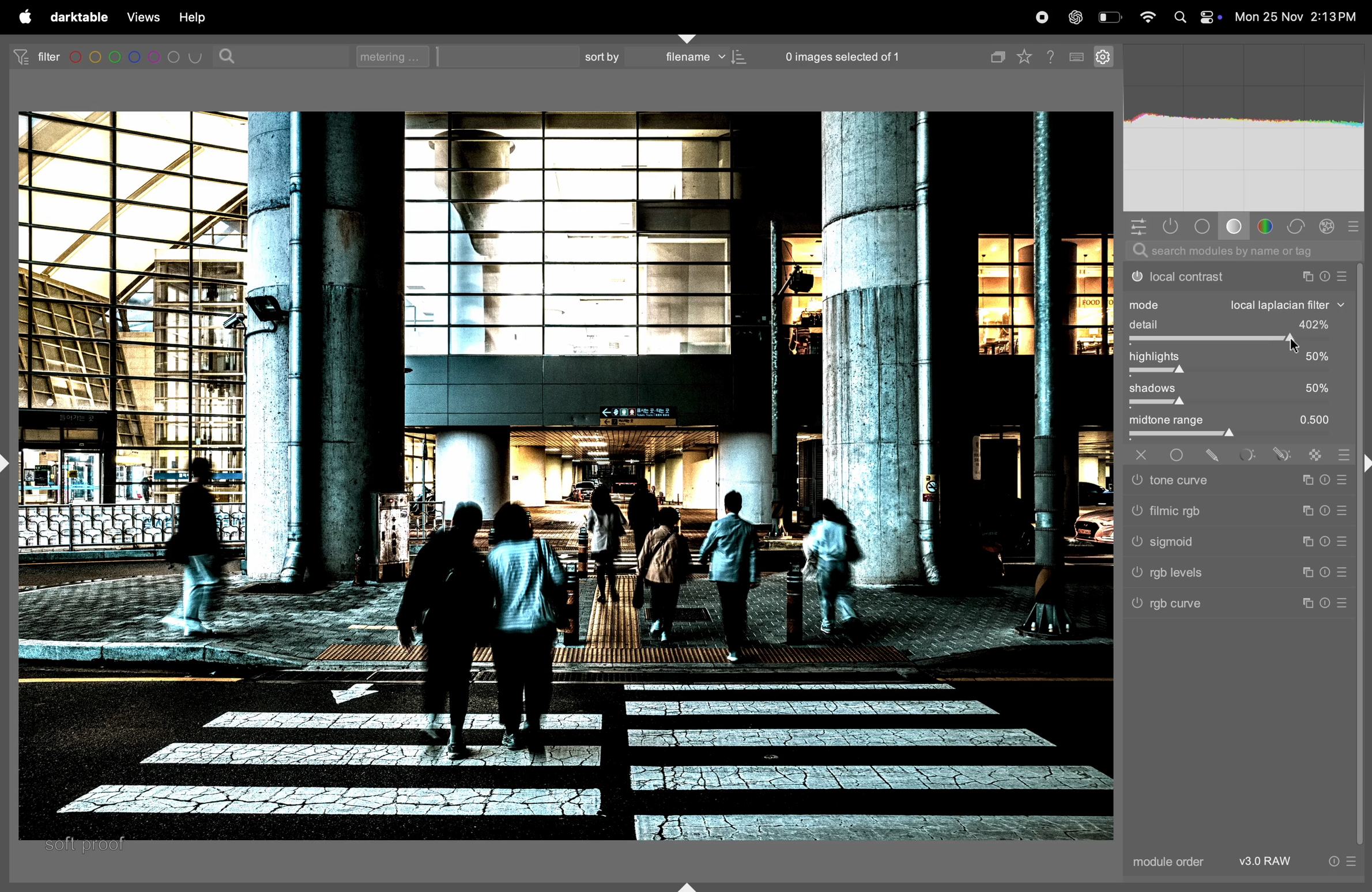  What do you see at coordinates (1148, 19) in the screenshot?
I see `wifi` at bounding box center [1148, 19].